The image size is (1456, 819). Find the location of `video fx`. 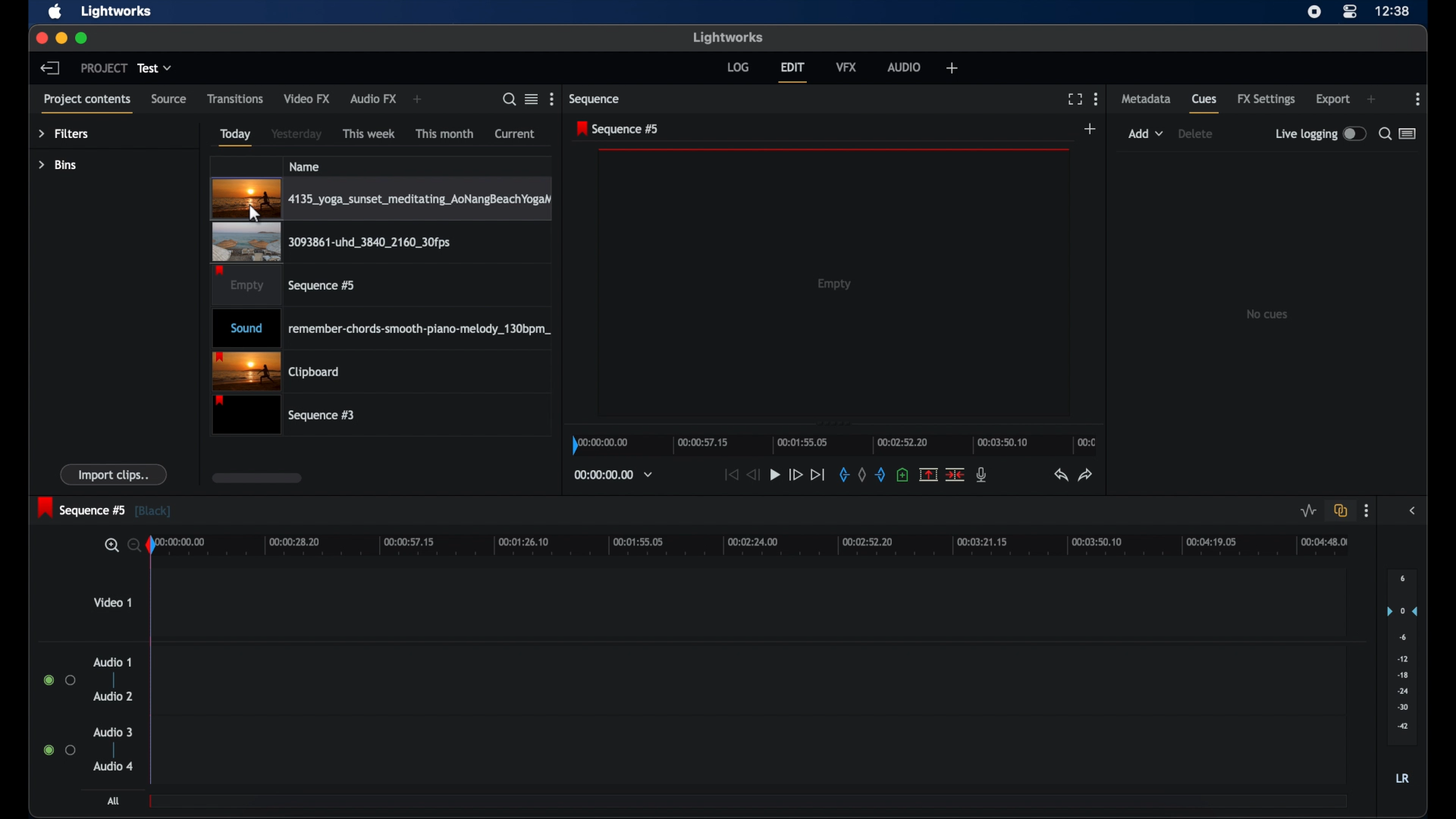

video fx is located at coordinates (308, 99).